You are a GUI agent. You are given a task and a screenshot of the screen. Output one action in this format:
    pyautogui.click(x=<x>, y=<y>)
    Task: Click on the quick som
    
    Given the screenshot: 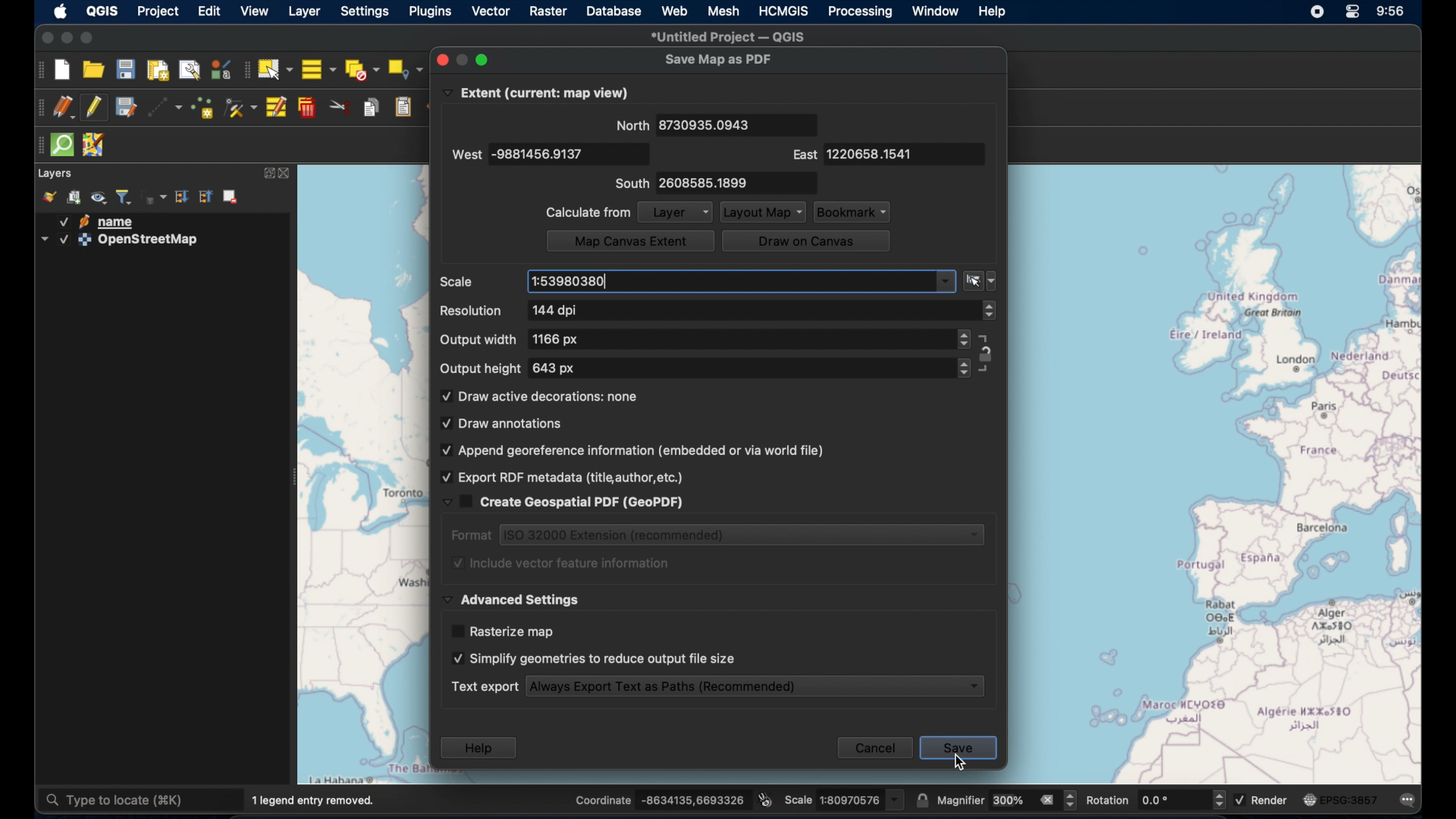 What is the action you would take?
    pyautogui.click(x=64, y=146)
    